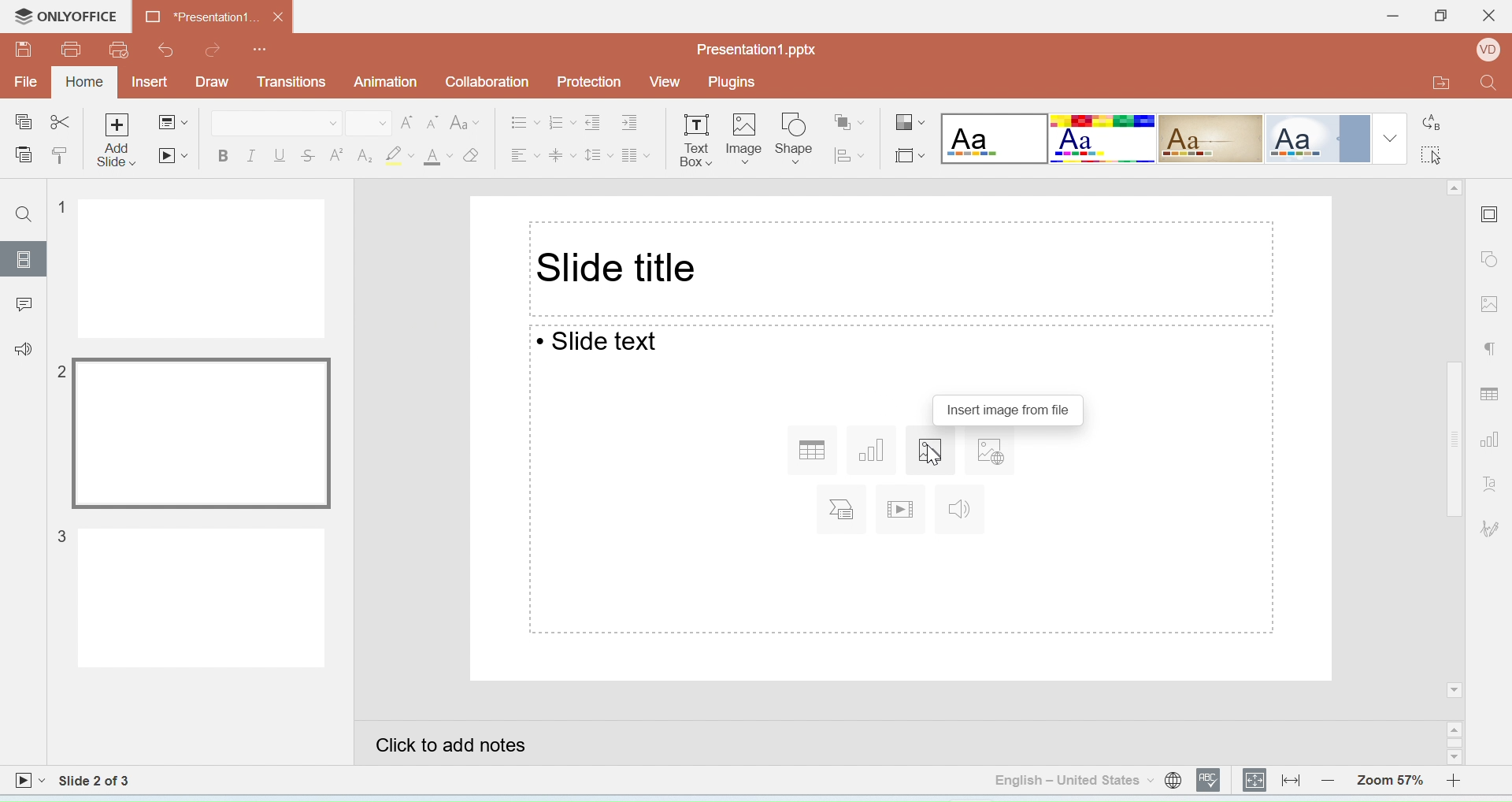 The width and height of the screenshot is (1512, 802). Describe the element at coordinates (1173, 780) in the screenshot. I see `Set document language` at that location.